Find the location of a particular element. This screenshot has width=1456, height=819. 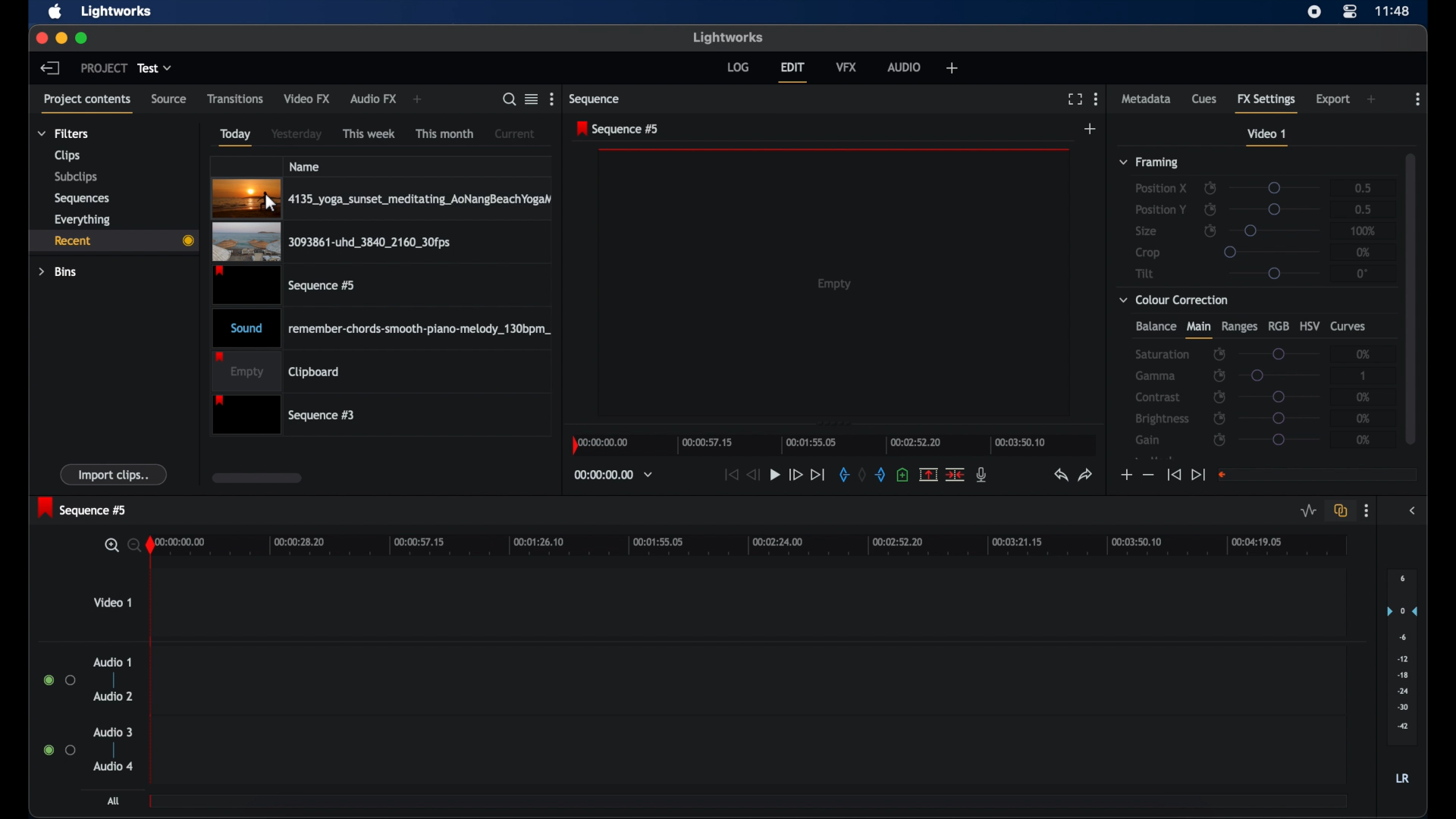

project is located at coordinates (104, 68).